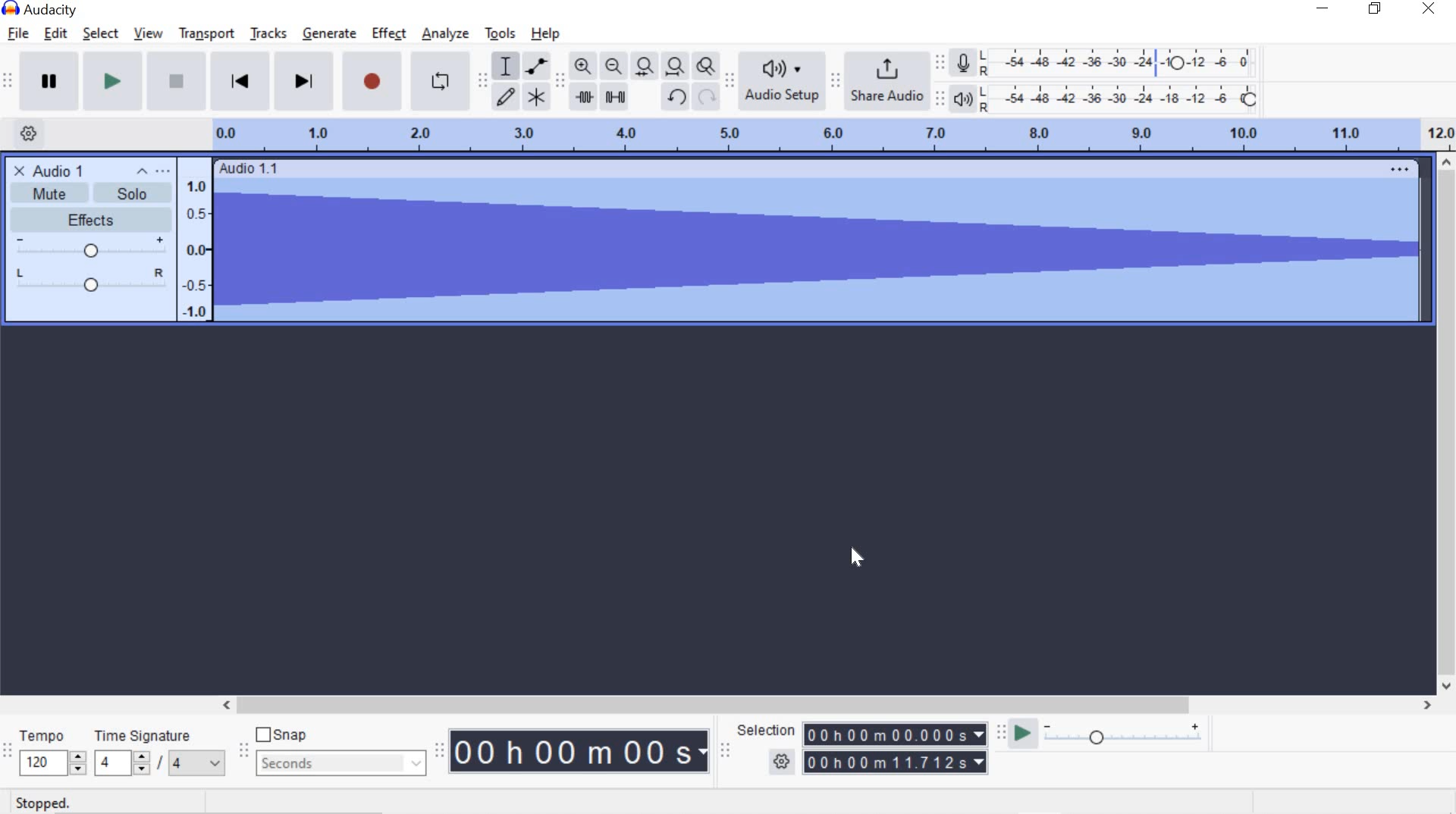  I want to click on Open menu, so click(165, 174).